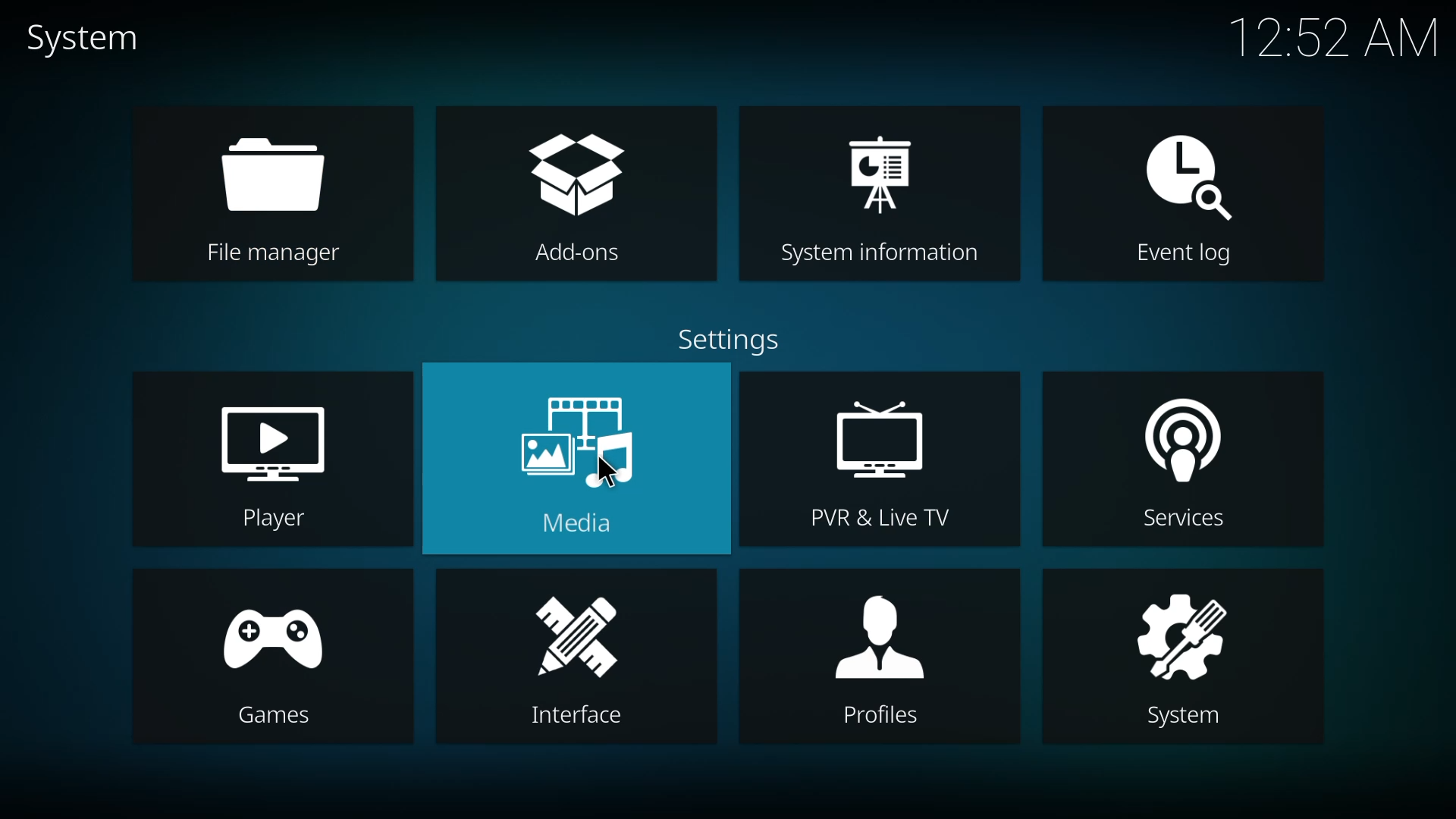 This screenshot has height=819, width=1456. Describe the element at coordinates (1181, 630) in the screenshot. I see `system` at that location.